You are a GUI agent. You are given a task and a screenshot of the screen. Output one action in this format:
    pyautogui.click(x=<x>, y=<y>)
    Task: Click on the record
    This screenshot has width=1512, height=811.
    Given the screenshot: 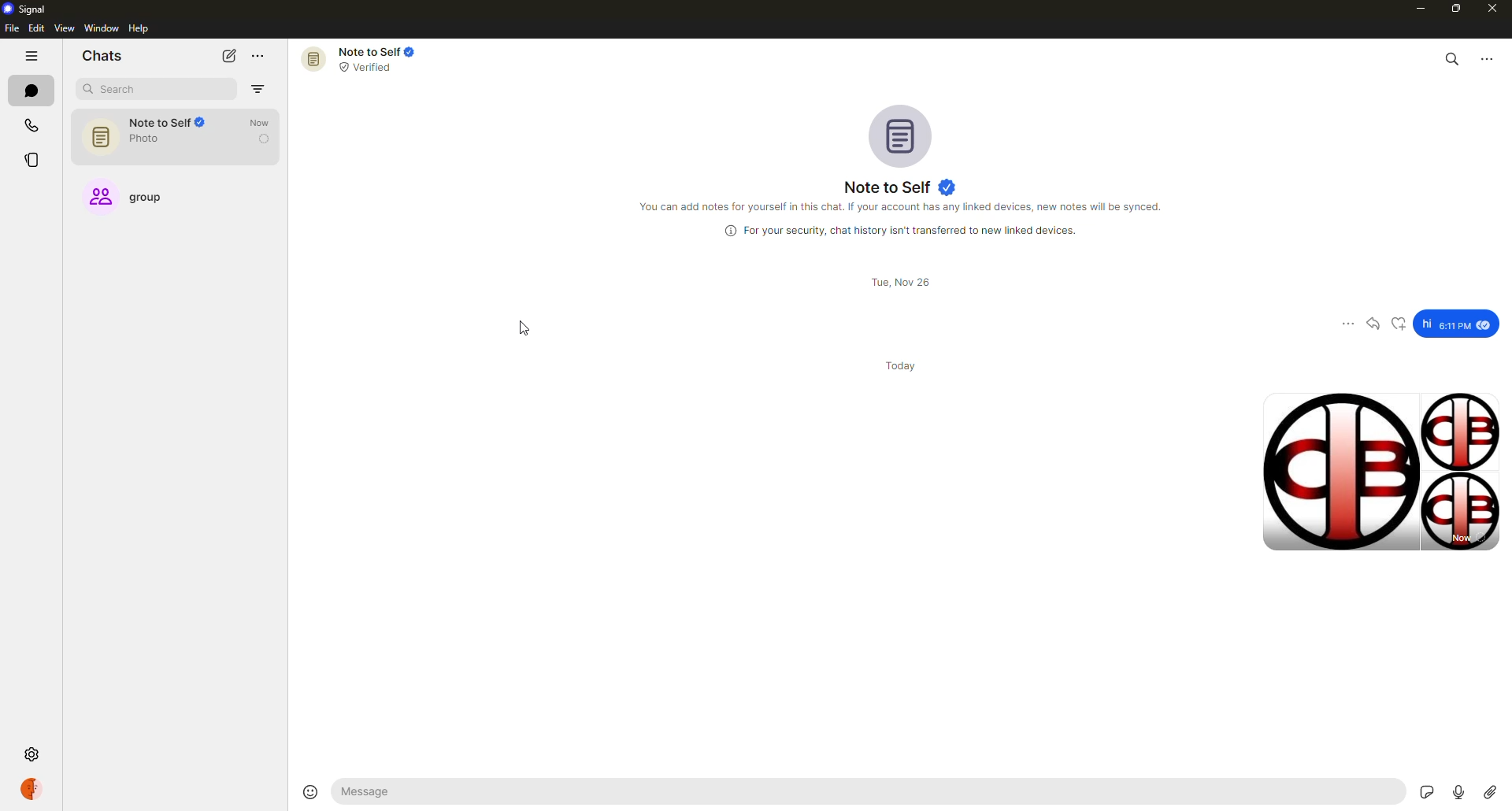 What is the action you would take?
    pyautogui.click(x=1460, y=794)
    